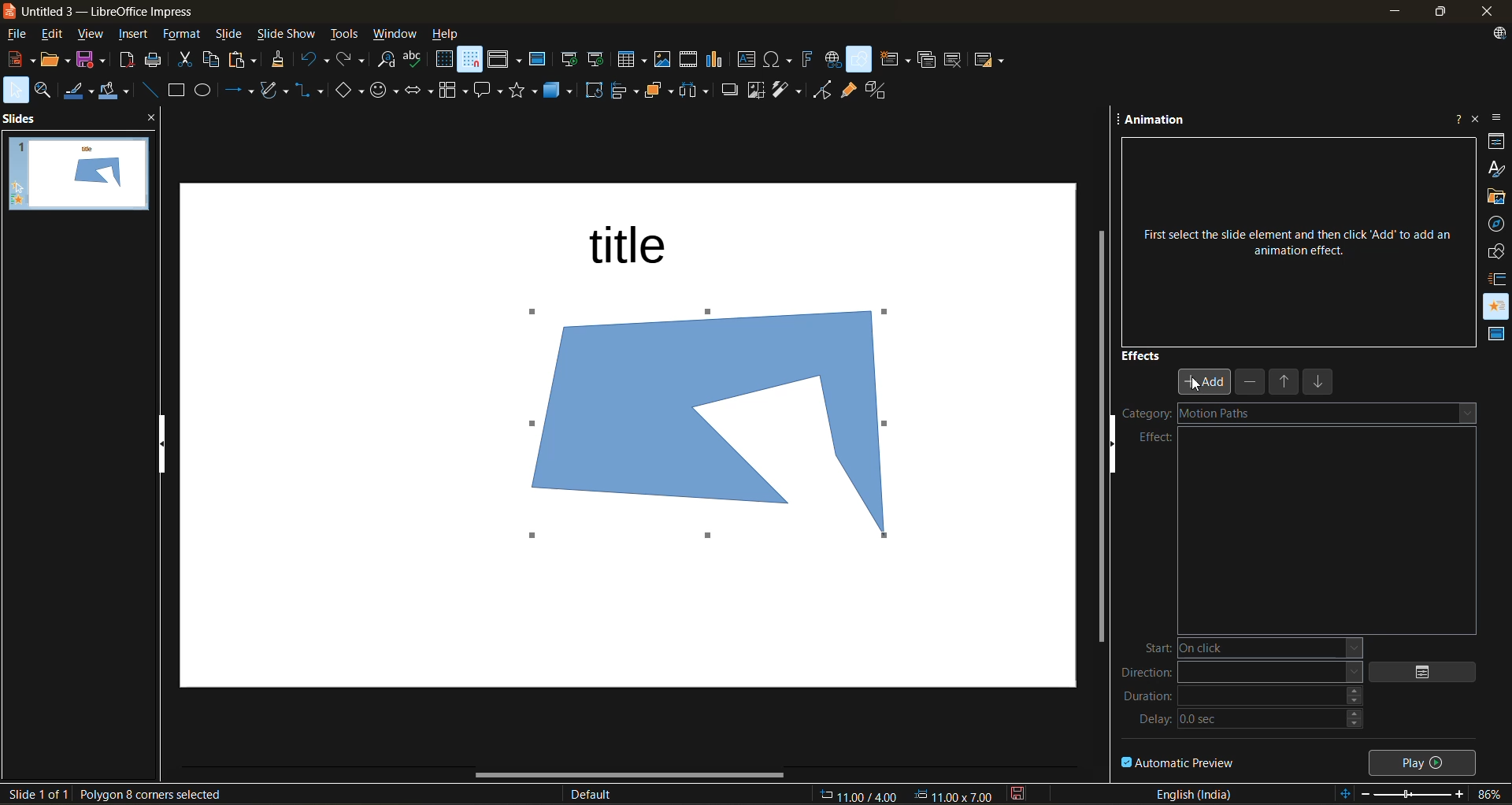  What do you see at coordinates (1251, 646) in the screenshot?
I see `start` at bounding box center [1251, 646].